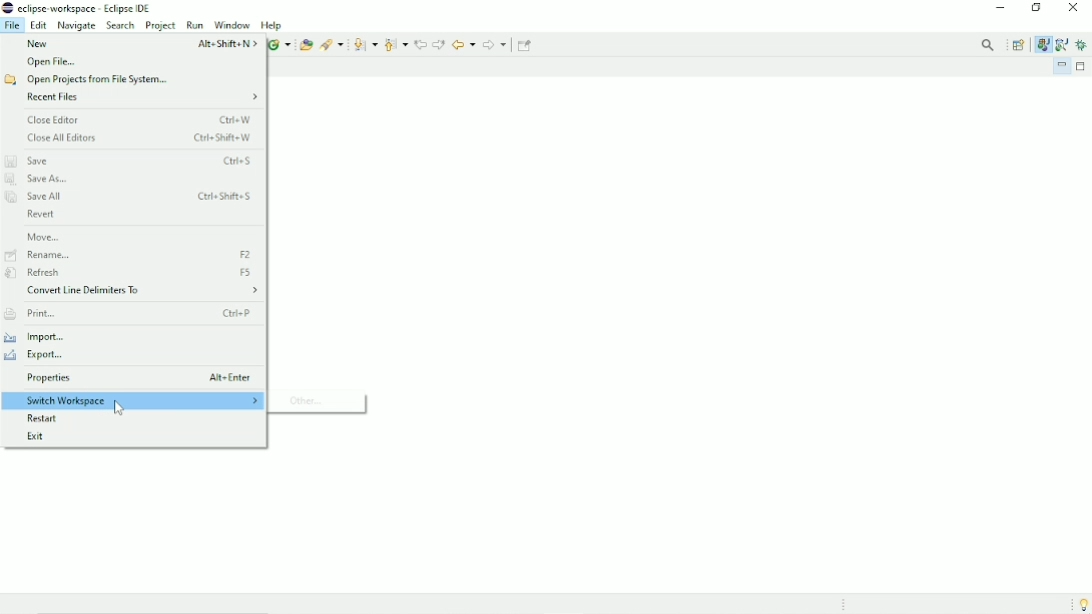  What do you see at coordinates (1073, 8) in the screenshot?
I see `Close` at bounding box center [1073, 8].